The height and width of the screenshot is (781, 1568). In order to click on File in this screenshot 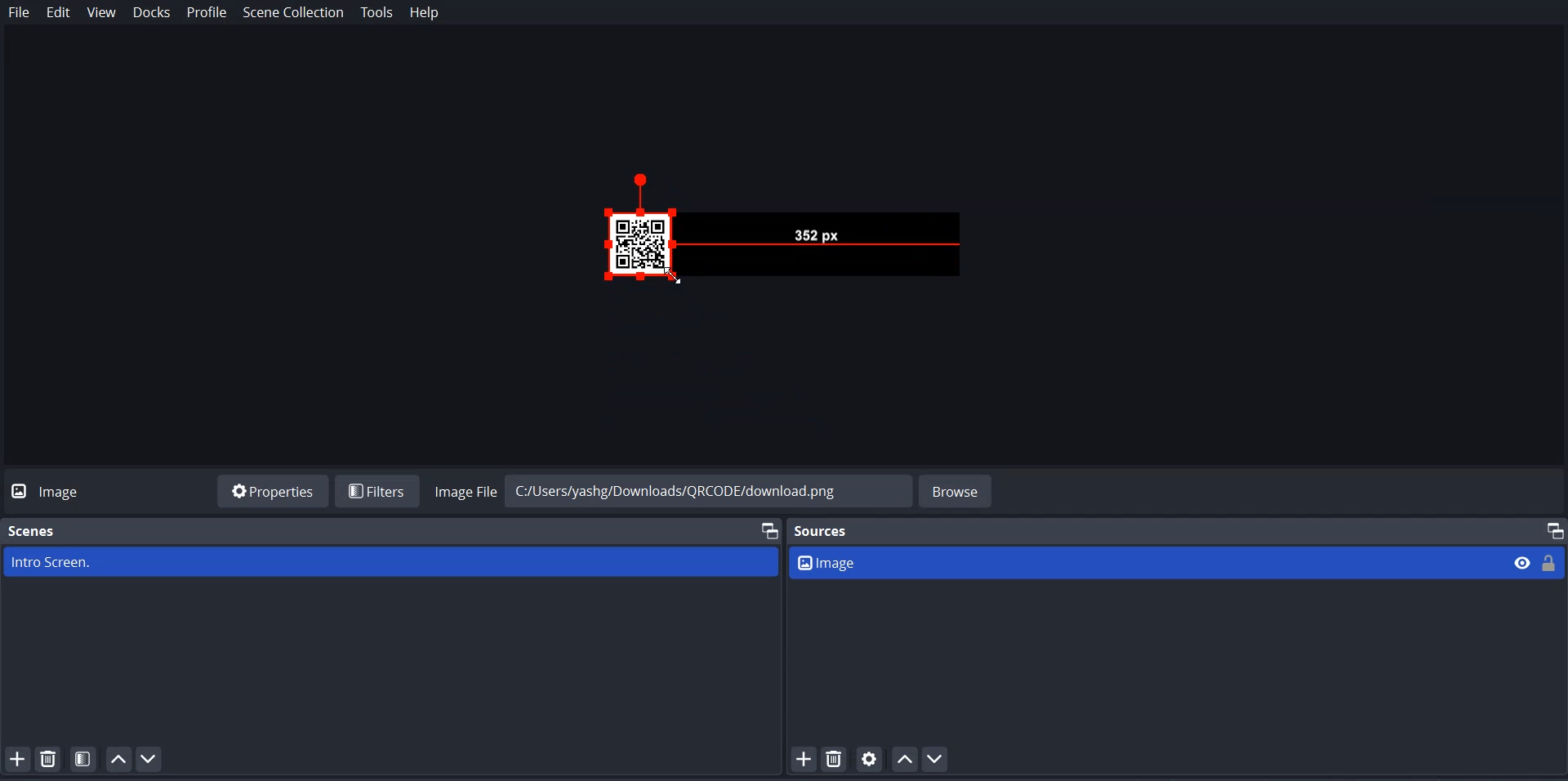, I will do `click(19, 13)`.